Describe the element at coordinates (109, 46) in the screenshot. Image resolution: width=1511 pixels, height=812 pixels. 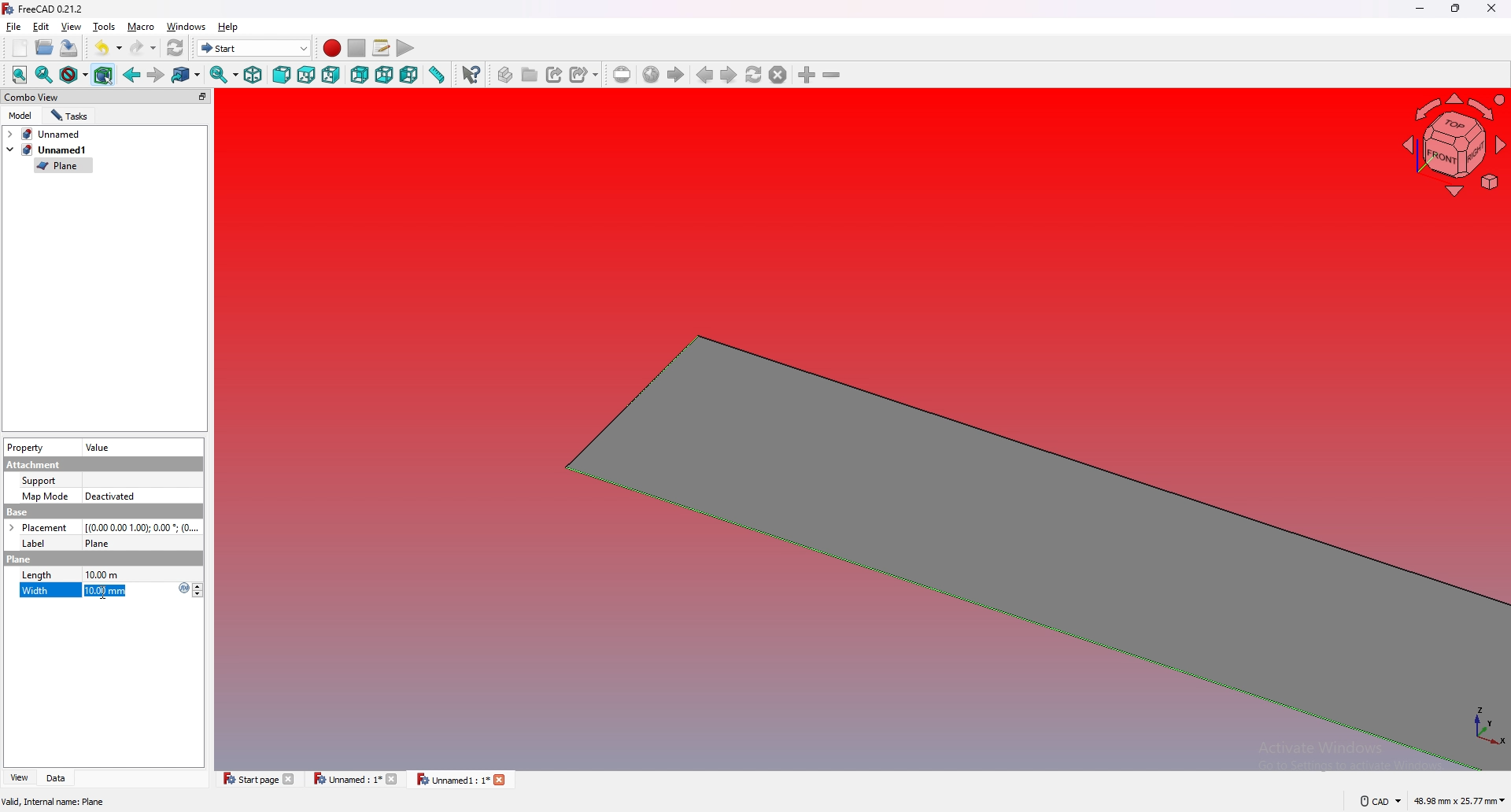
I see `undo` at that location.